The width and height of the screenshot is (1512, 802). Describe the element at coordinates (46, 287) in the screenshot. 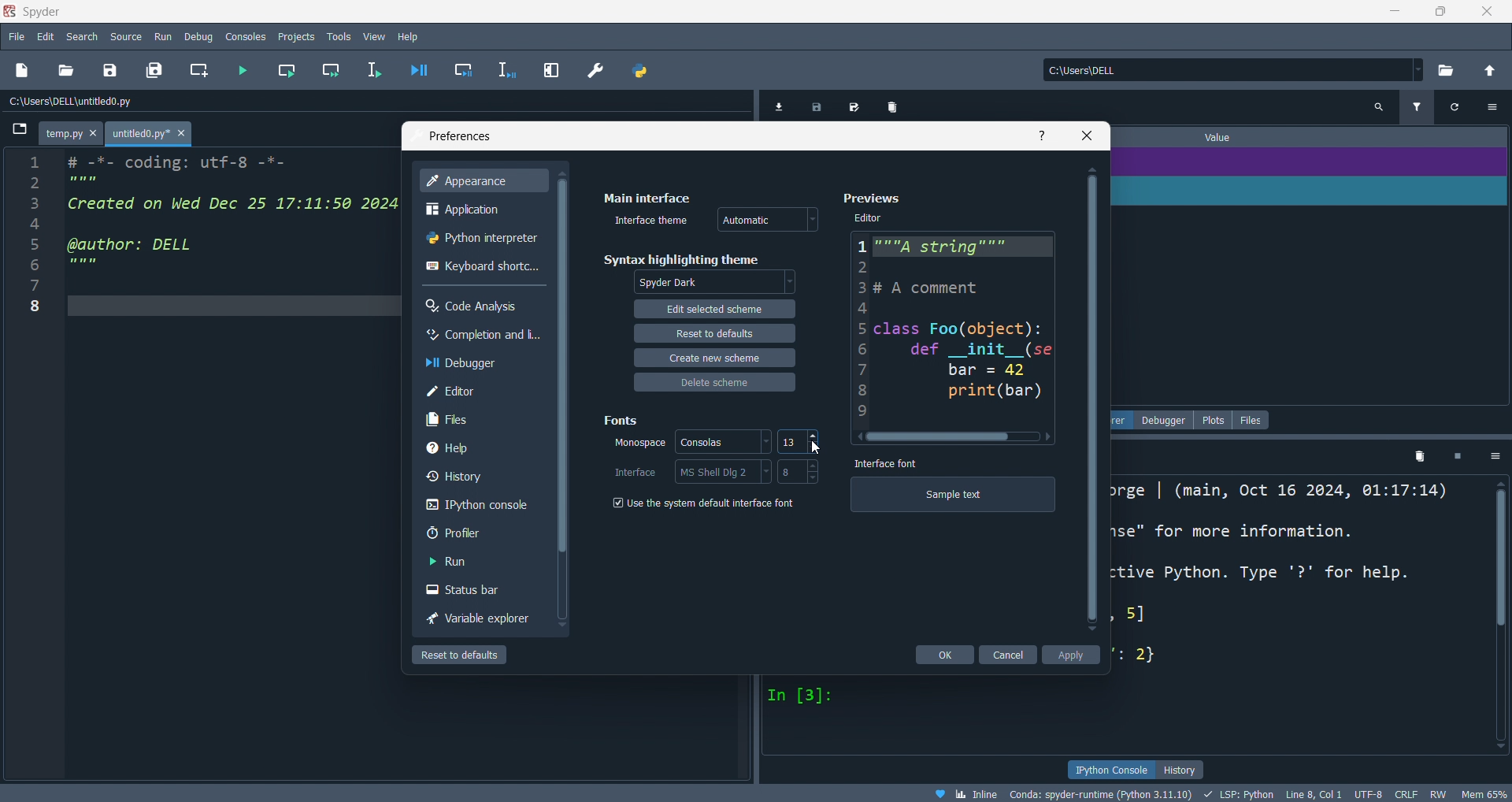

I see `7` at that location.